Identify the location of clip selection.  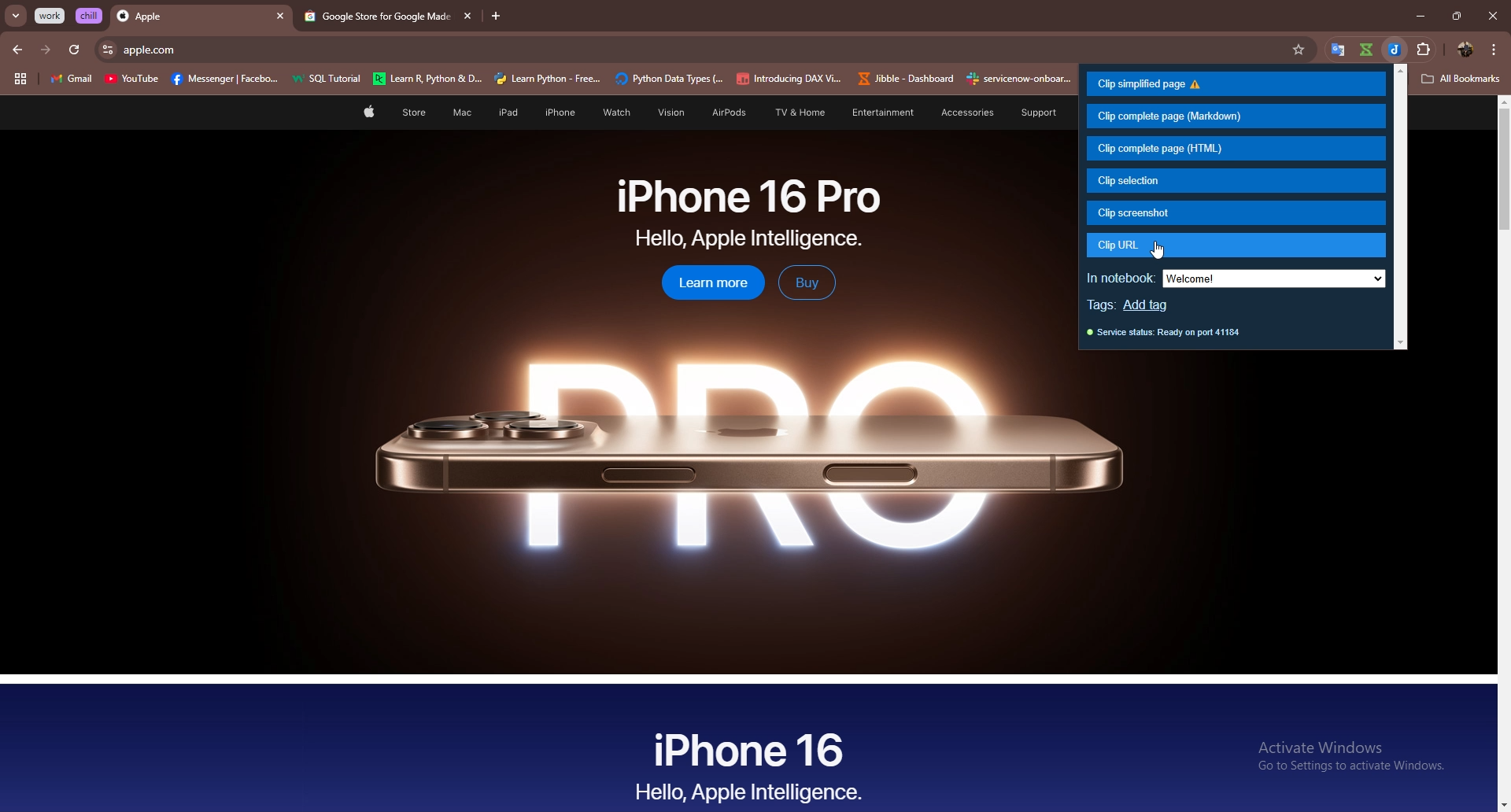
(1233, 180).